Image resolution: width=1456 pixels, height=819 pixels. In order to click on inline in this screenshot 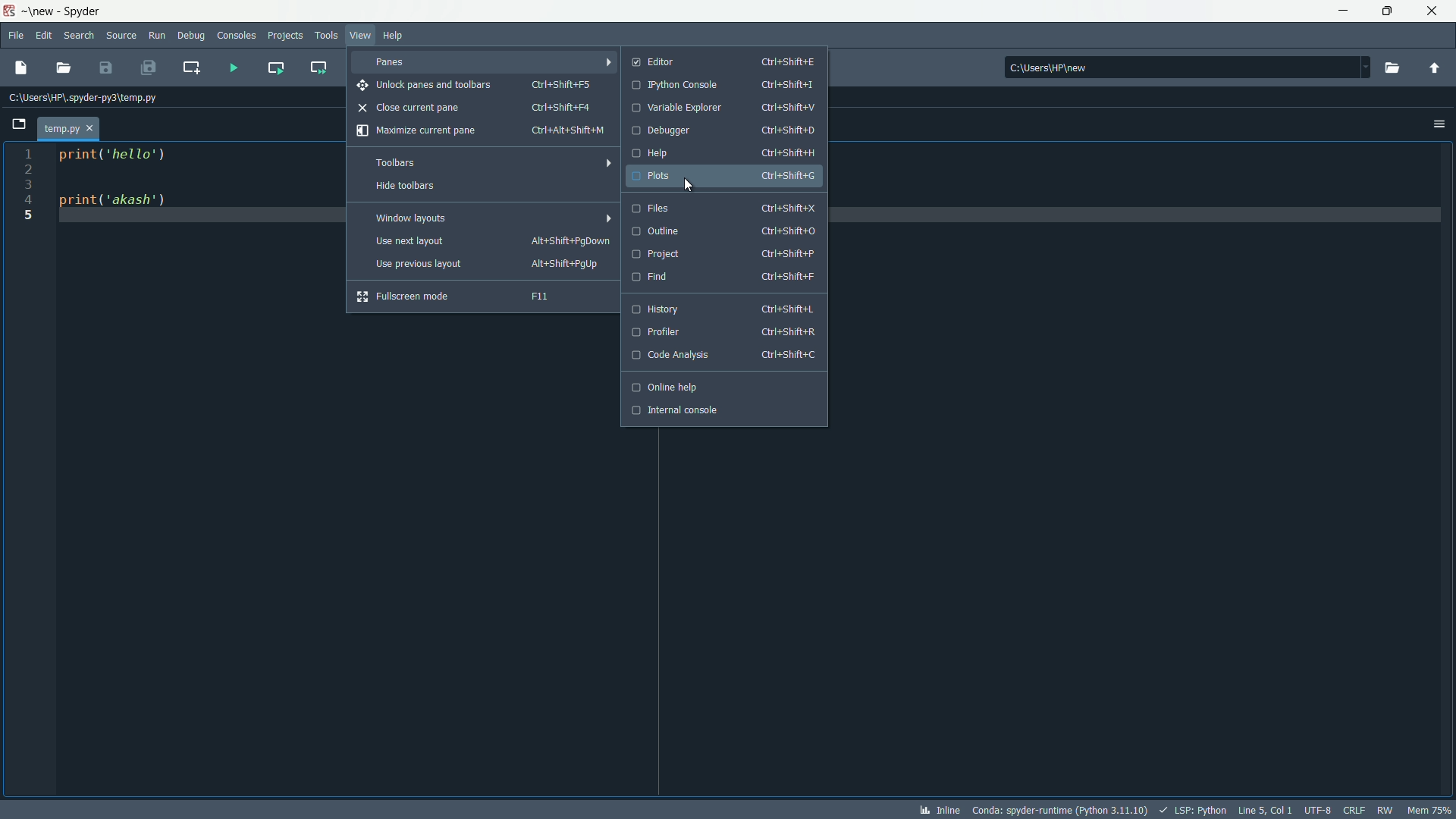, I will do `click(937, 811)`.